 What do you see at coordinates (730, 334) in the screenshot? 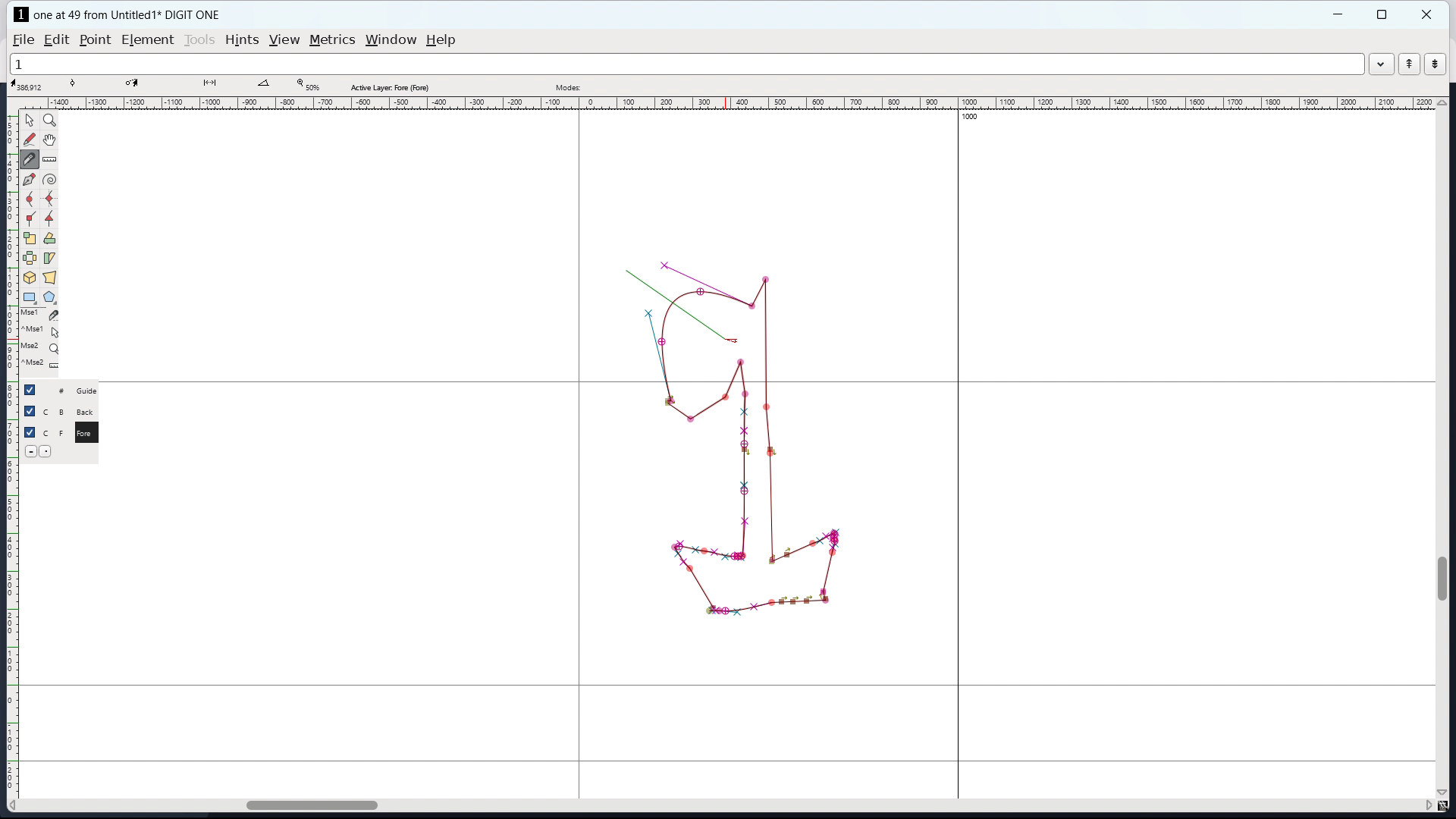
I see `cursor` at bounding box center [730, 334].